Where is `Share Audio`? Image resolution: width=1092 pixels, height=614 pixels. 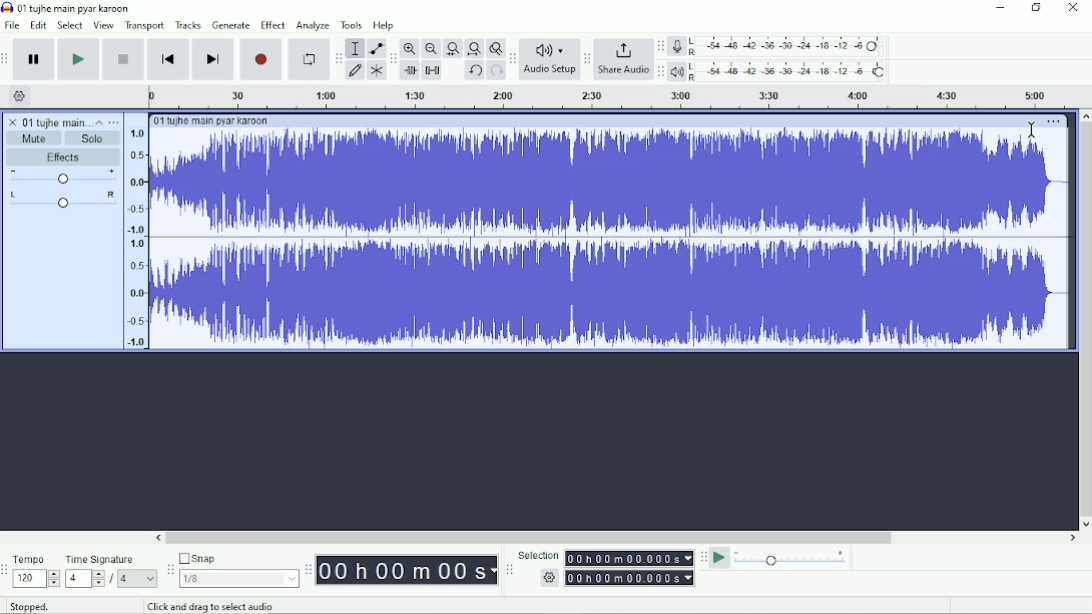
Share Audio is located at coordinates (624, 58).